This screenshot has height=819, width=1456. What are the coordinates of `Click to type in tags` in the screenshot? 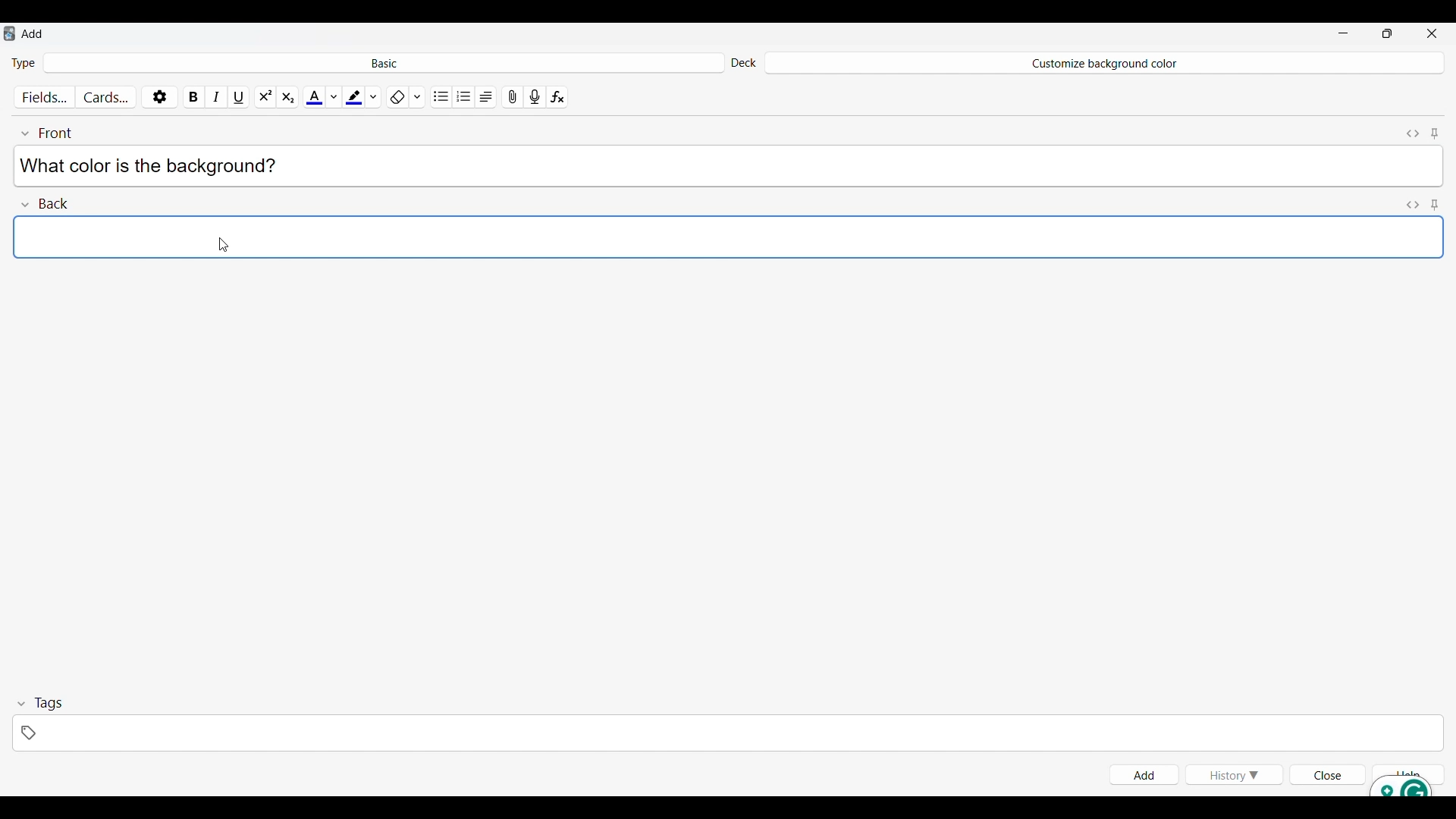 It's located at (727, 733).